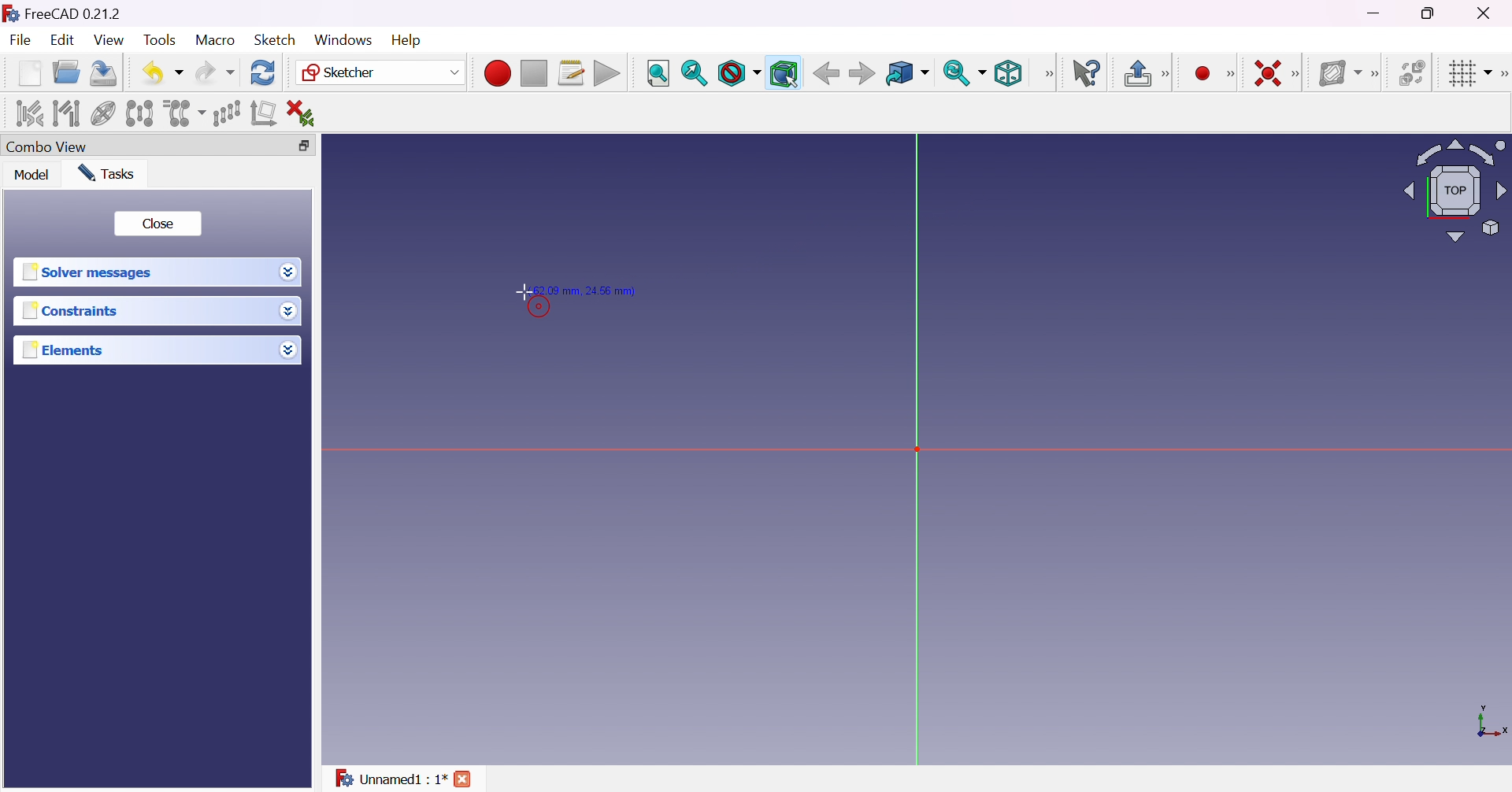 The height and width of the screenshot is (792, 1512). I want to click on [Sketcher B-spline tools]], so click(1379, 74).